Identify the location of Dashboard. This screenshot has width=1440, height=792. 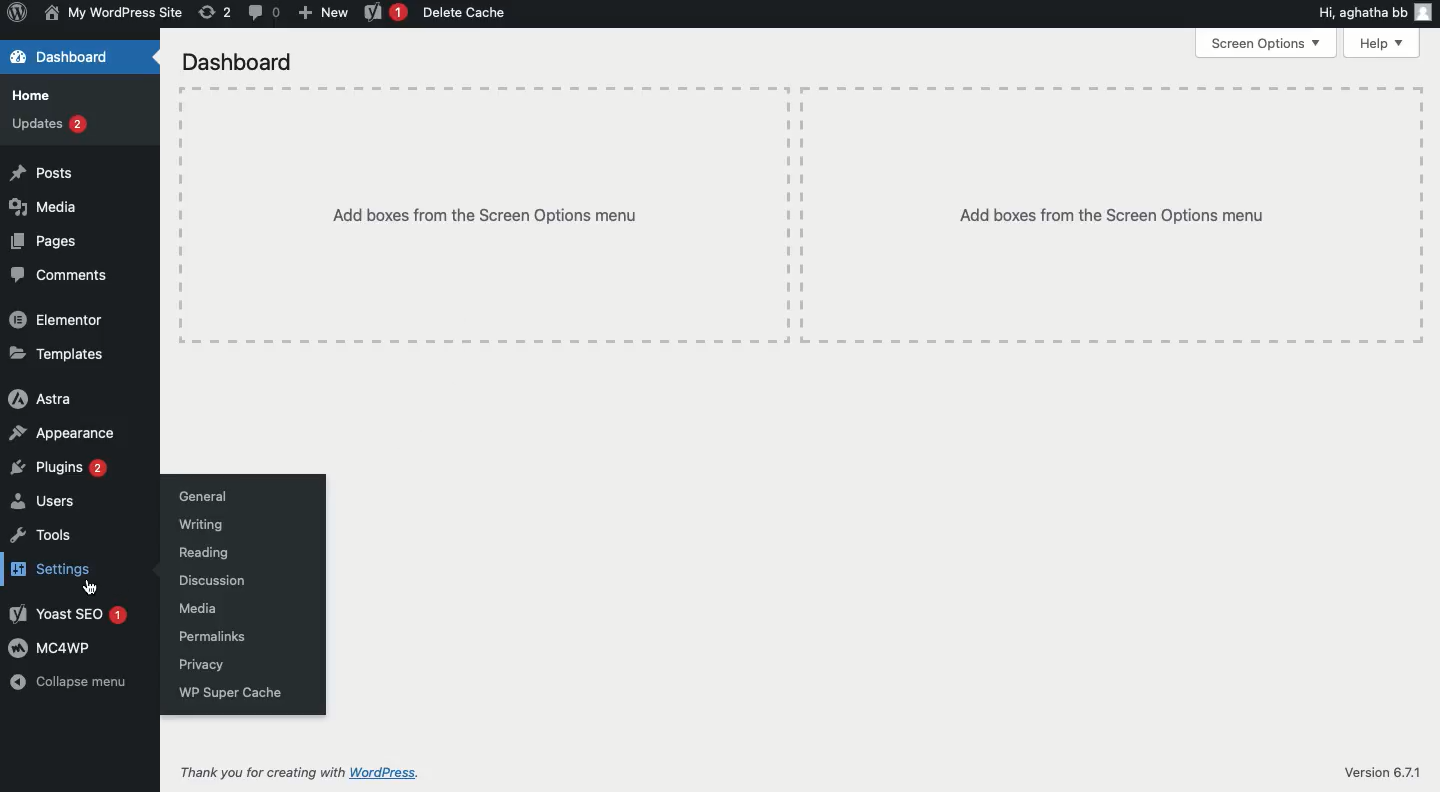
(239, 62).